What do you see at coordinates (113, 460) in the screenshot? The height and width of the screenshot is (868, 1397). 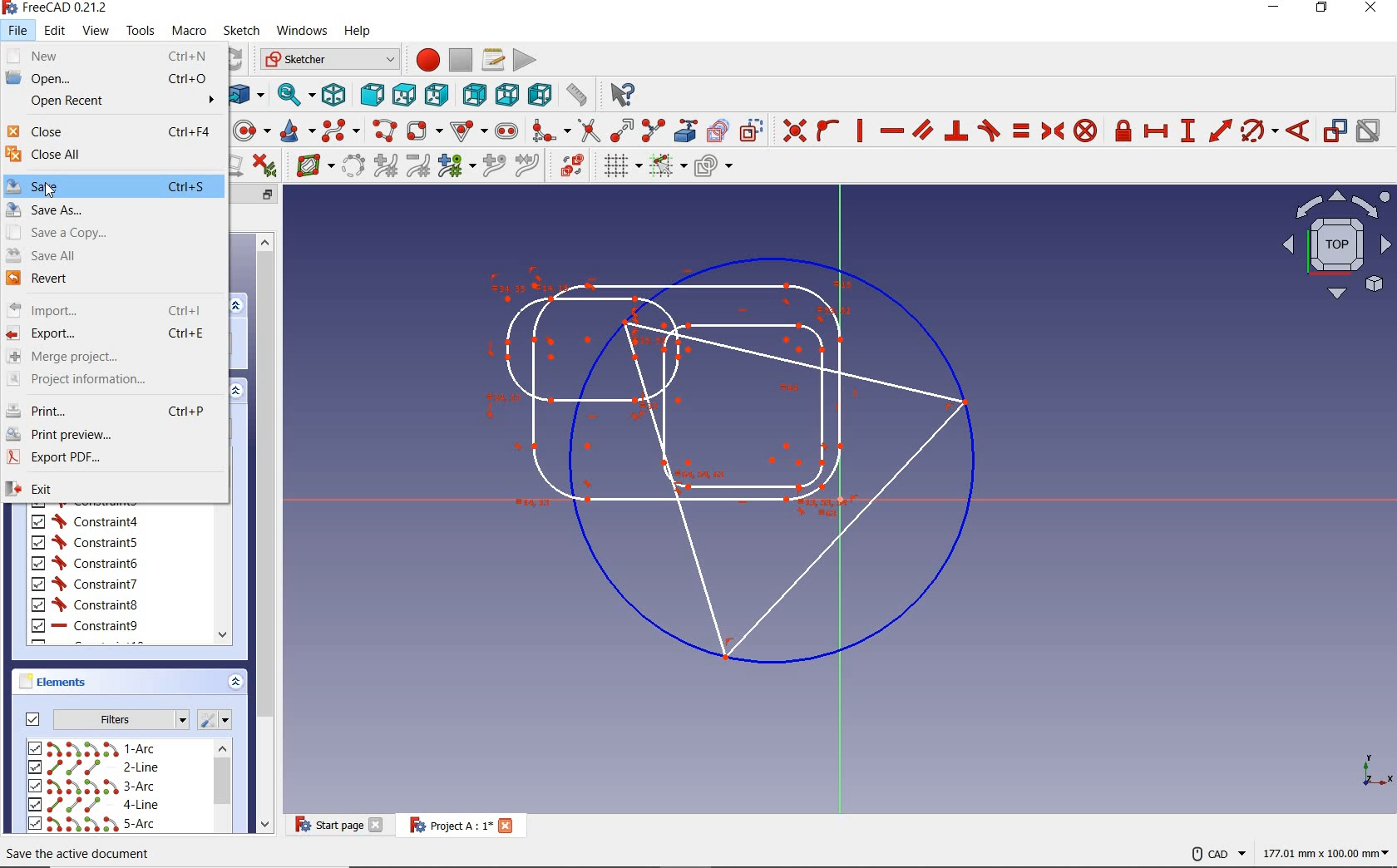 I see `export pdf` at bounding box center [113, 460].